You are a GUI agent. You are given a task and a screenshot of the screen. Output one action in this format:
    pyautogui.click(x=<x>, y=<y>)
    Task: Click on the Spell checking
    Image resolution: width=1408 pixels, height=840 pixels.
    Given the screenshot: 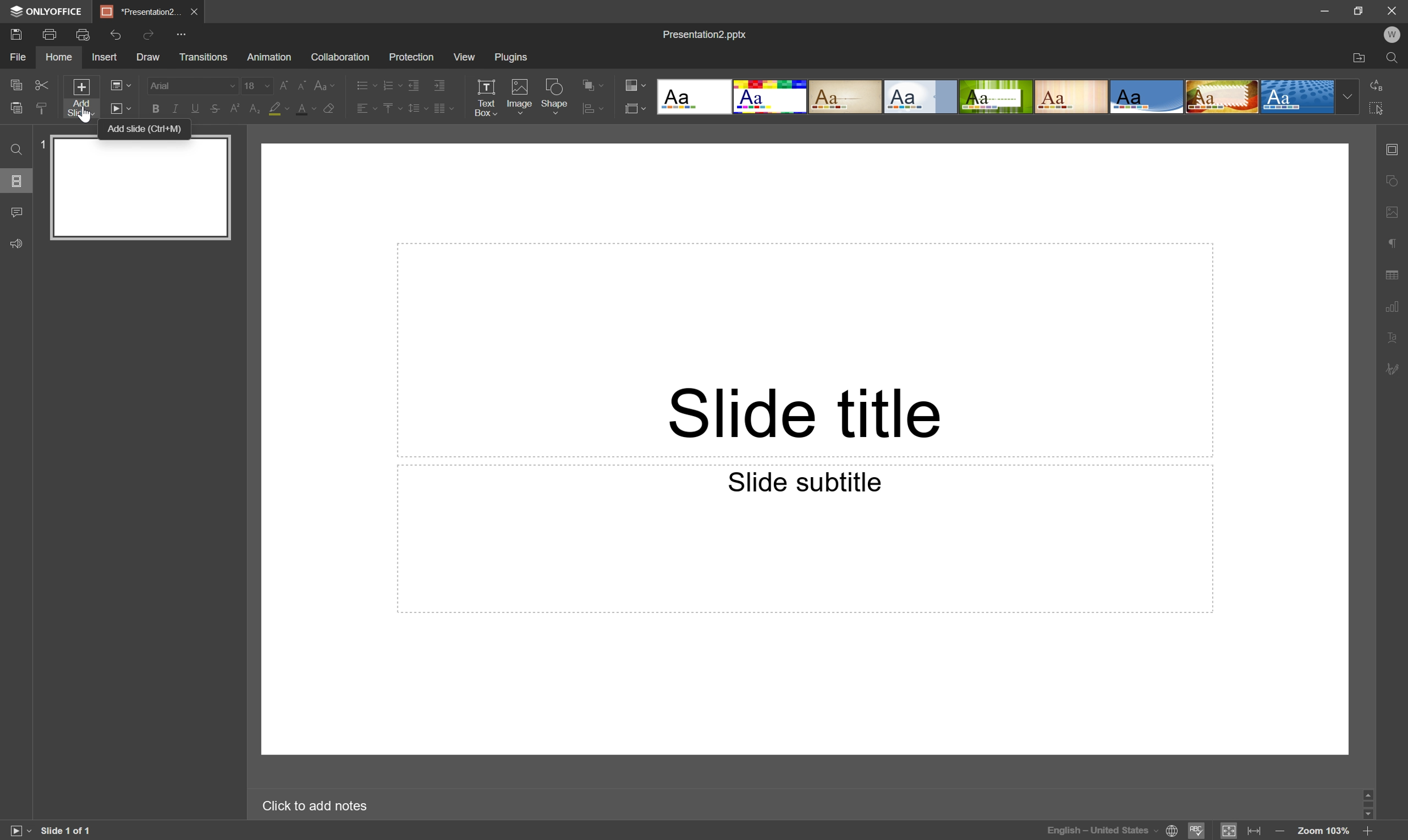 What is the action you would take?
    pyautogui.click(x=1198, y=830)
    